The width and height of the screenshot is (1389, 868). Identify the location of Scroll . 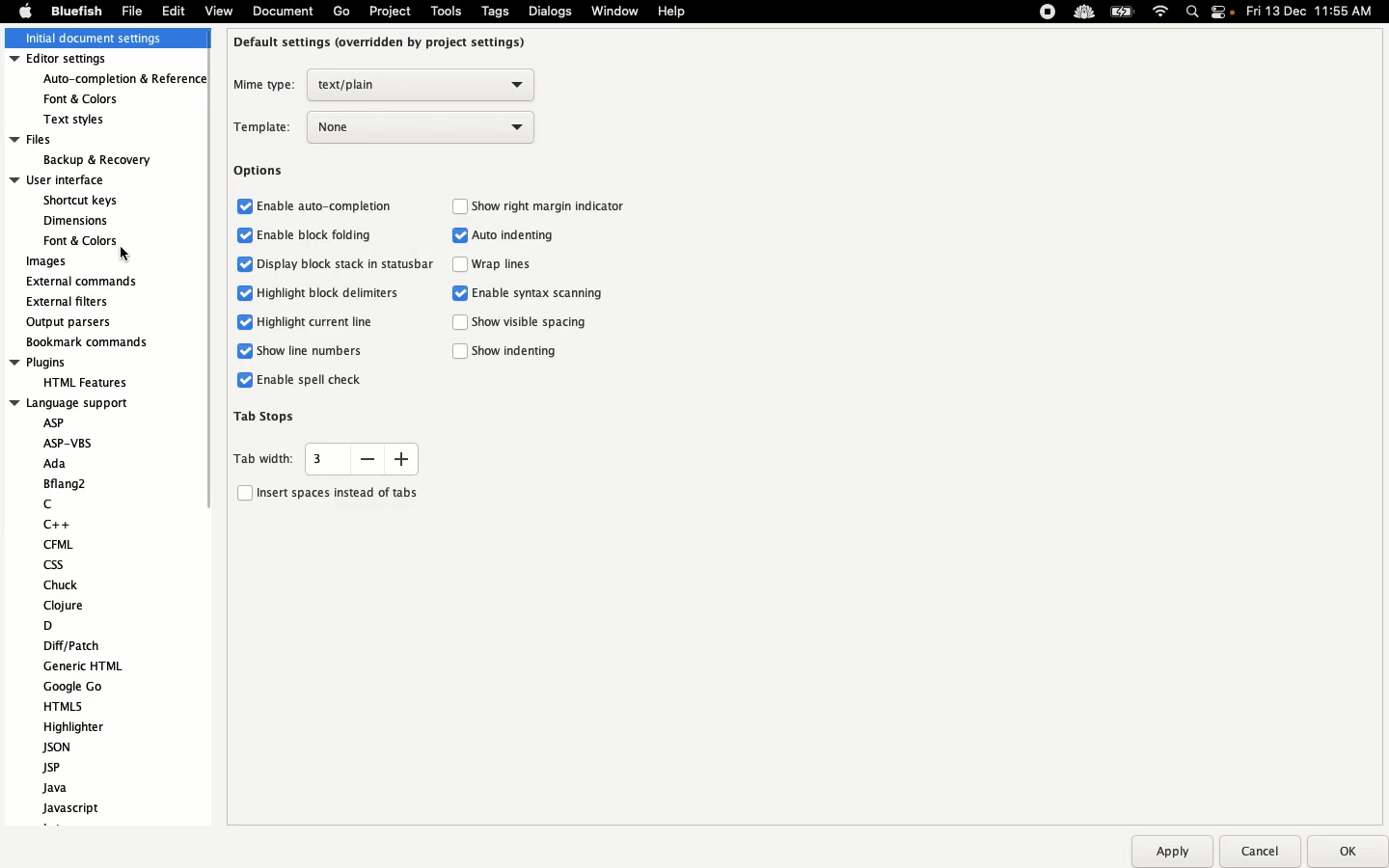
(204, 322).